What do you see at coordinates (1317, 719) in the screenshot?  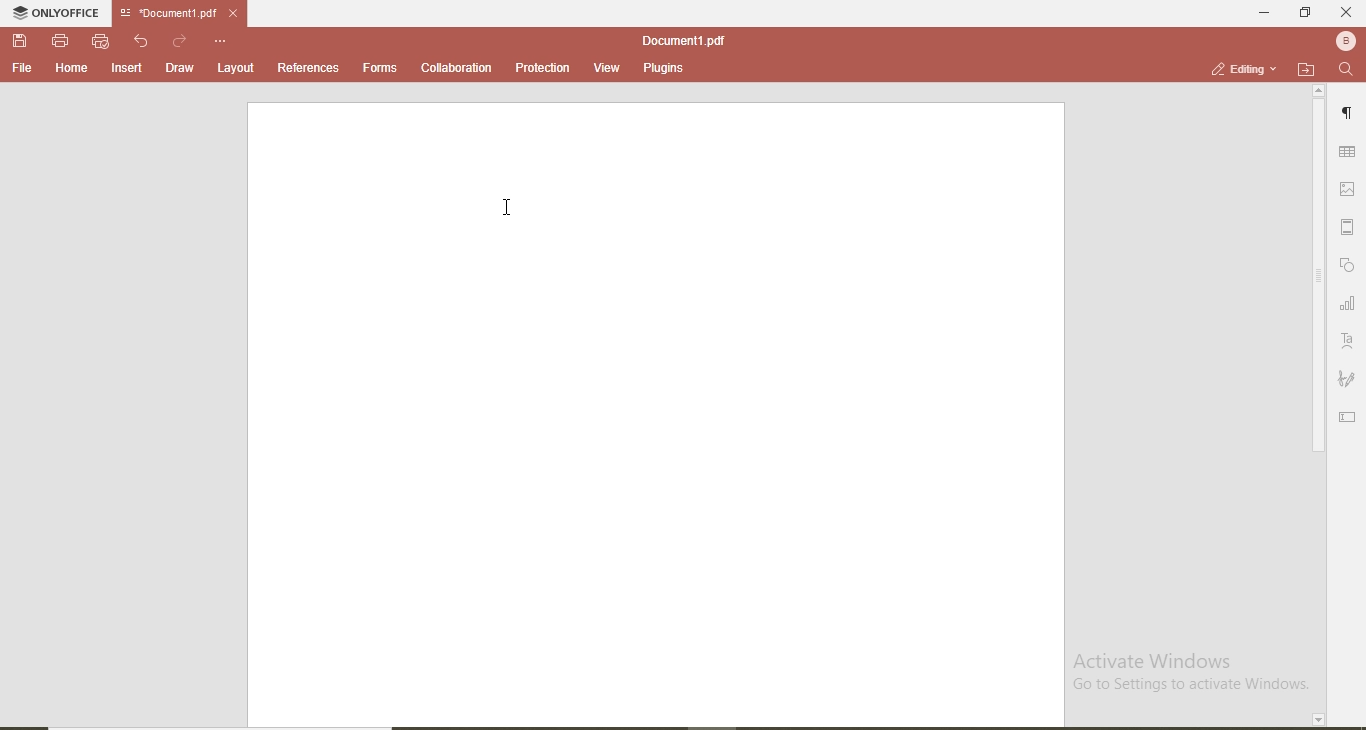 I see `page down` at bounding box center [1317, 719].